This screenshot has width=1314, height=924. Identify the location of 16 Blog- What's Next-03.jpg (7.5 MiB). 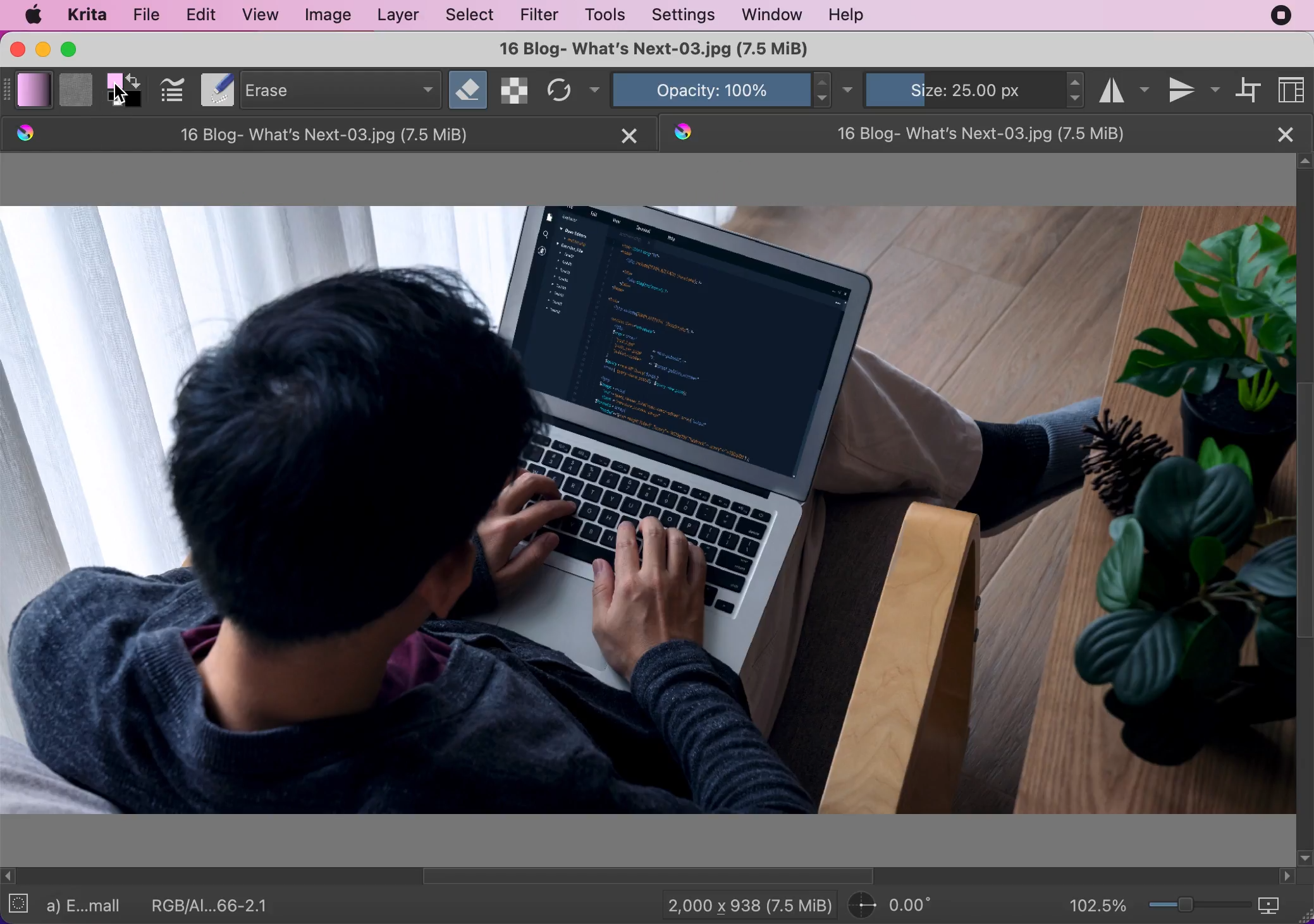
(961, 133).